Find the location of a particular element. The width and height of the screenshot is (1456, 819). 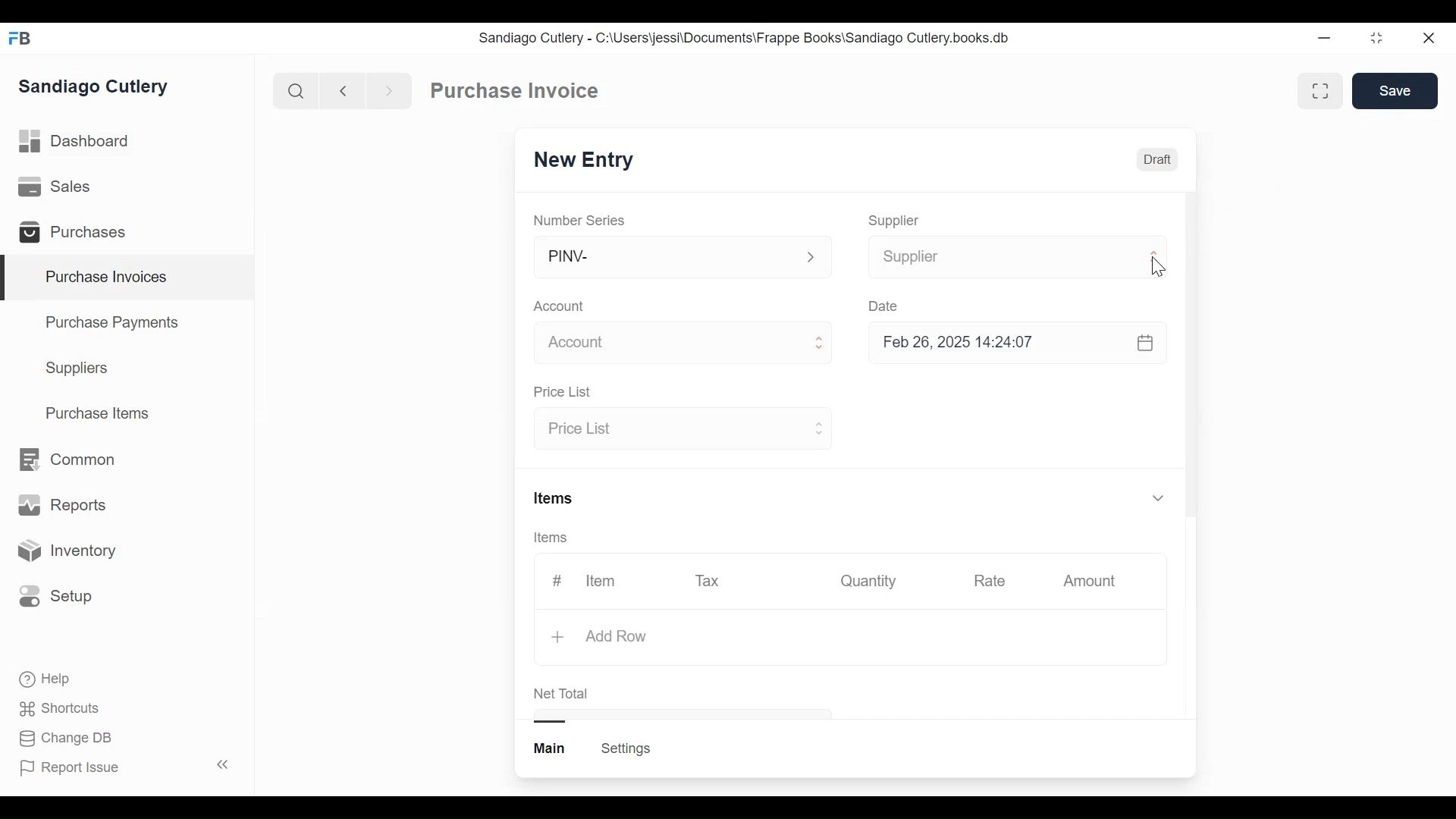

Search is located at coordinates (296, 90).